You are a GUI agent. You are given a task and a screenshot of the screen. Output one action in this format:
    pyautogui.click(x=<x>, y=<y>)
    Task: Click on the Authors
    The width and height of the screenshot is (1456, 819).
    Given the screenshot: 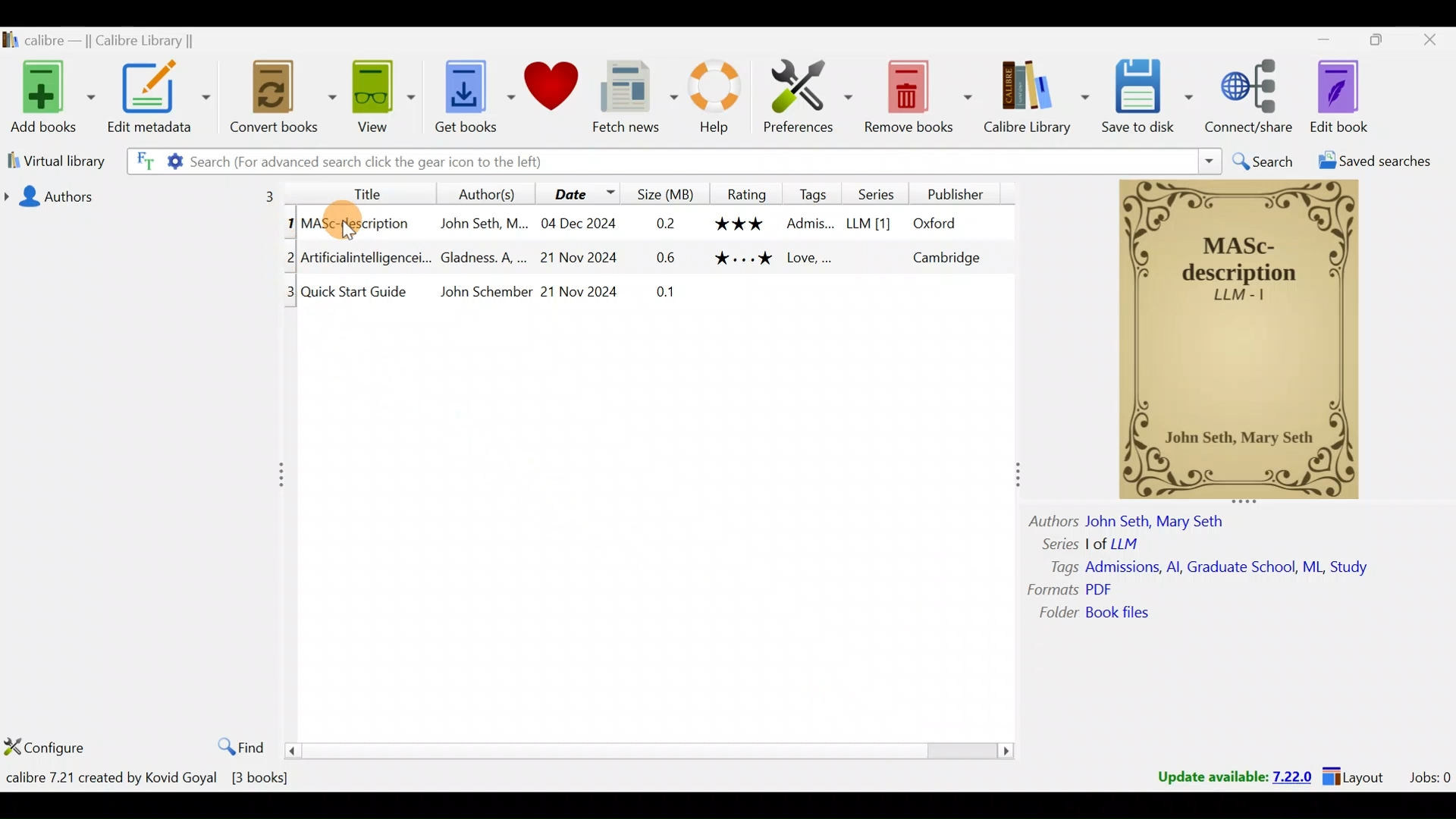 What is the action you would take?
    pyautogui.click(x=489, y=192)
    